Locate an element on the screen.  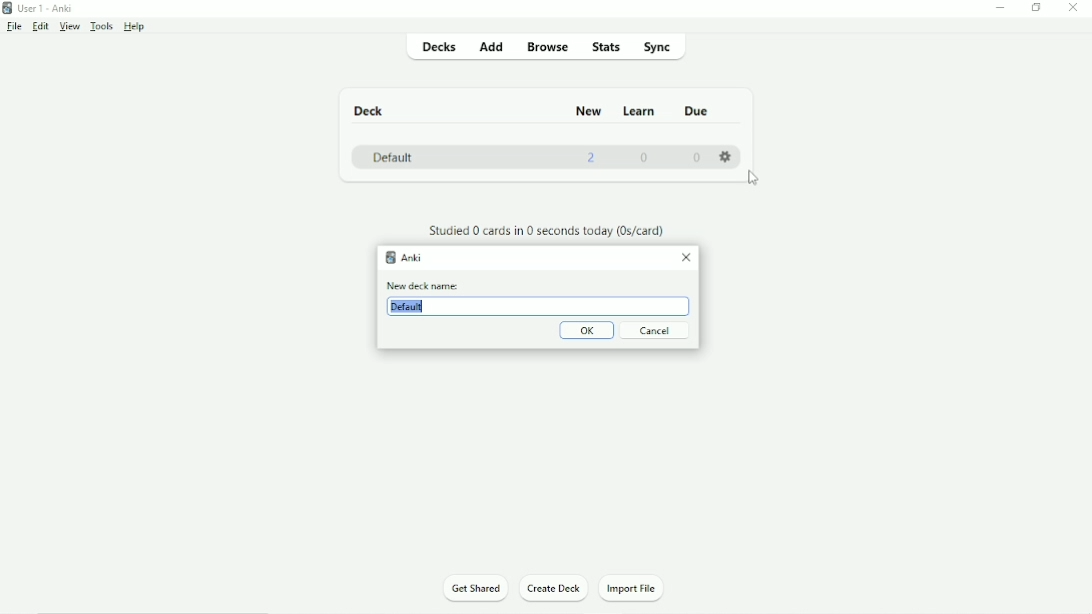
0 is located at coordinates (646, 158).